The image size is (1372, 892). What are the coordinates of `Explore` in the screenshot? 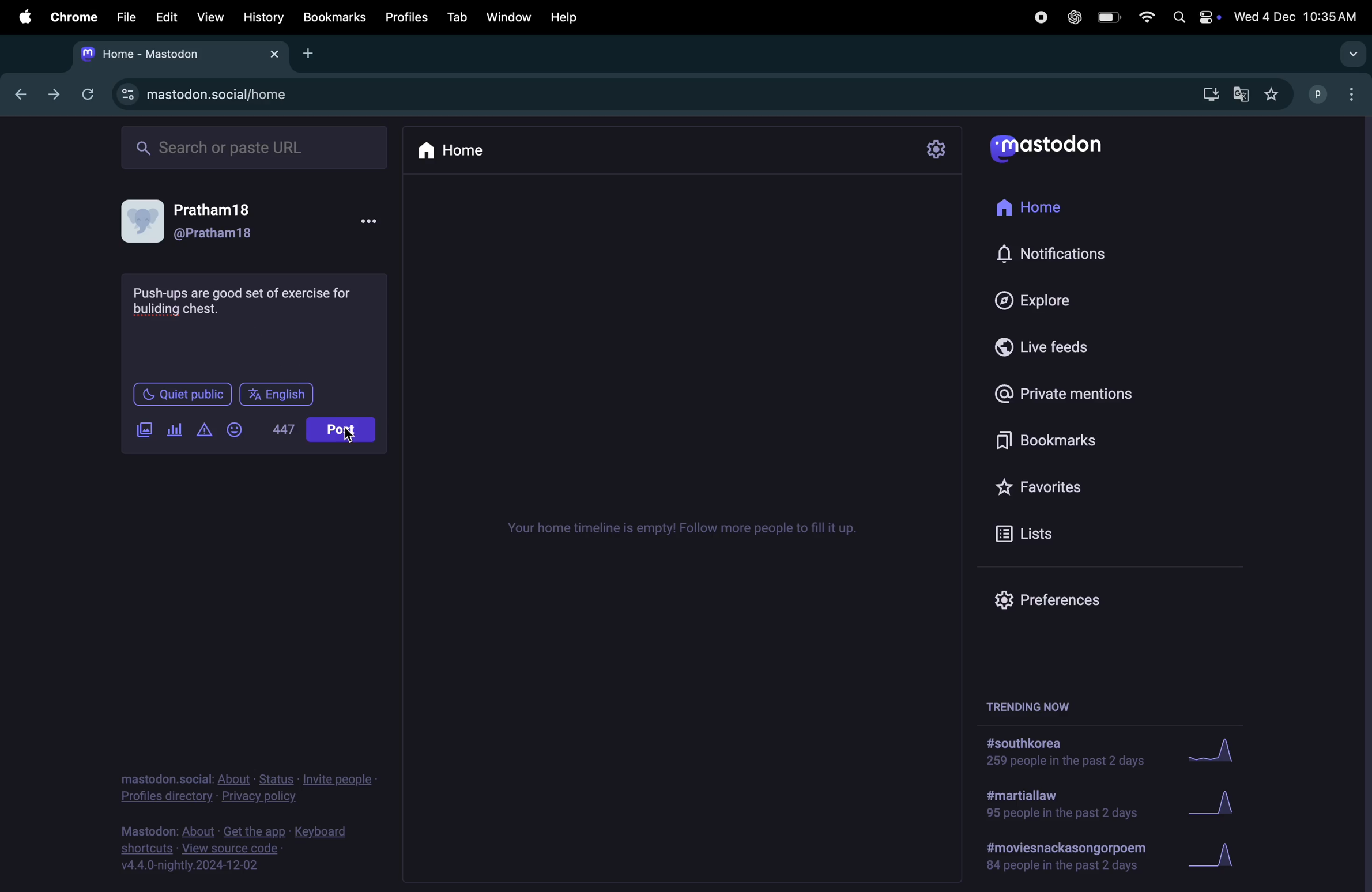 It's located at (1030, 298).